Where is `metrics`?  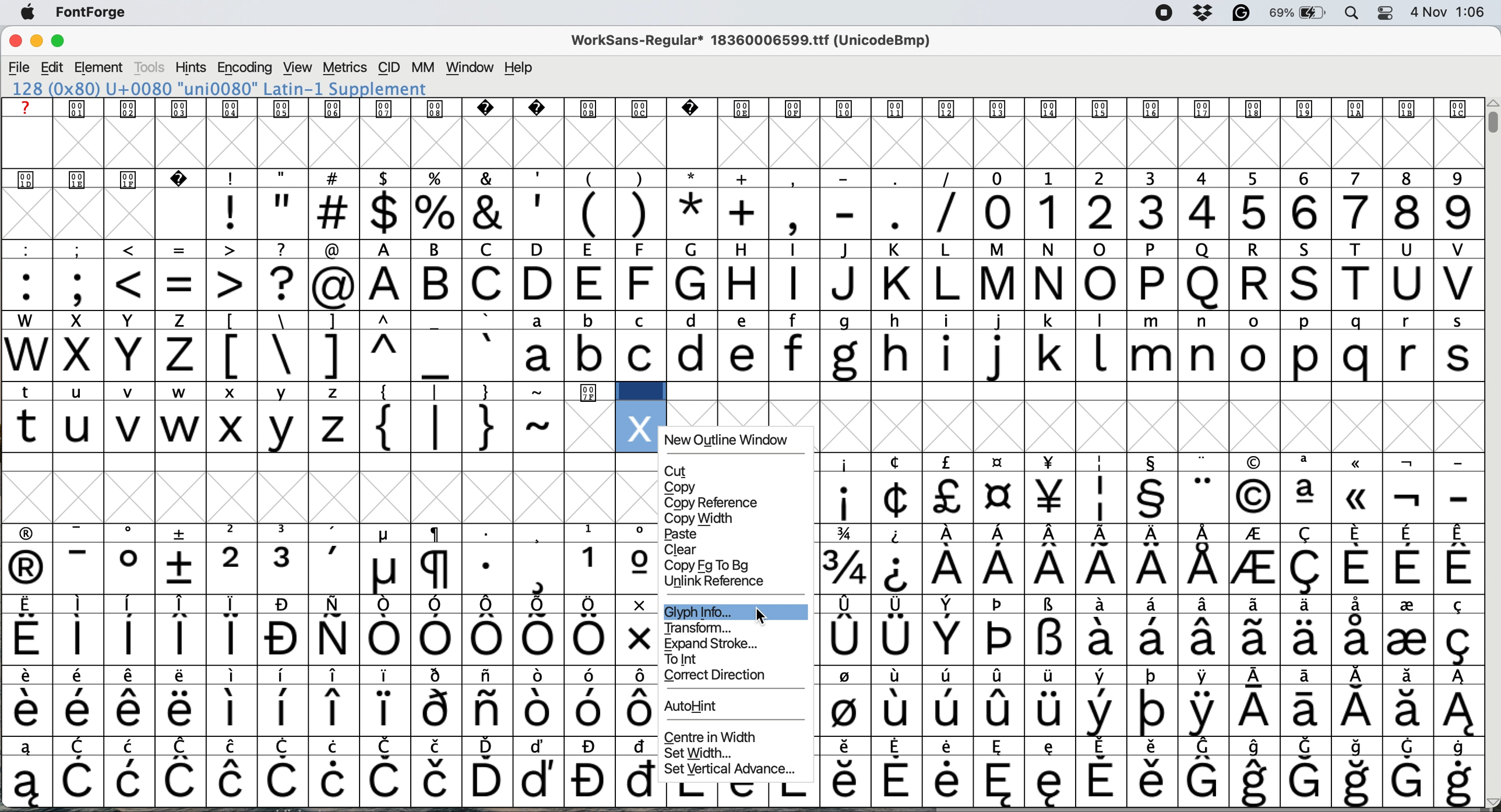
metrics is located at coordinates (346, 68).